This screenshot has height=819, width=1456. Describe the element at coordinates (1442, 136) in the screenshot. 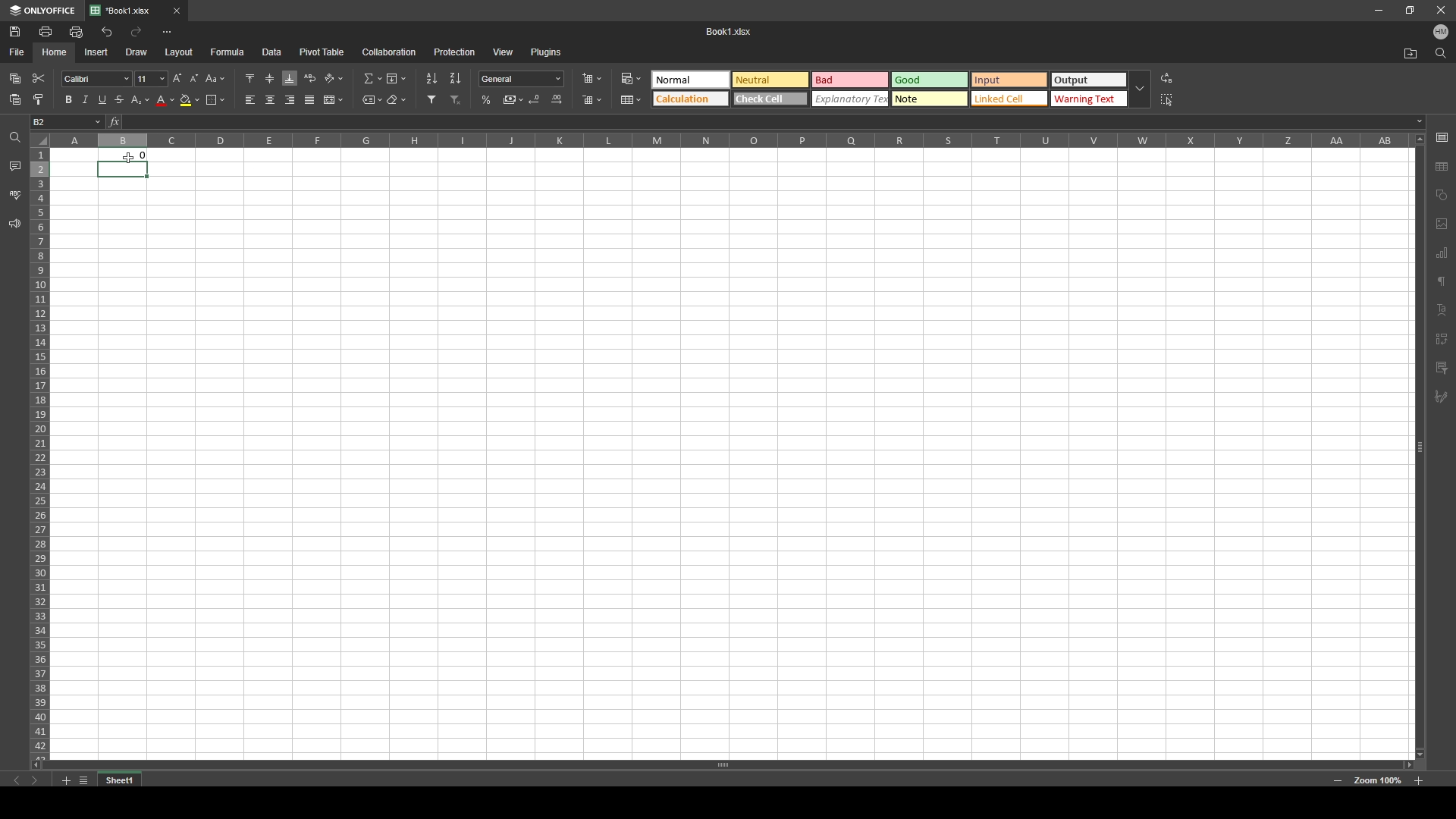

I see `cell settings` at that location.